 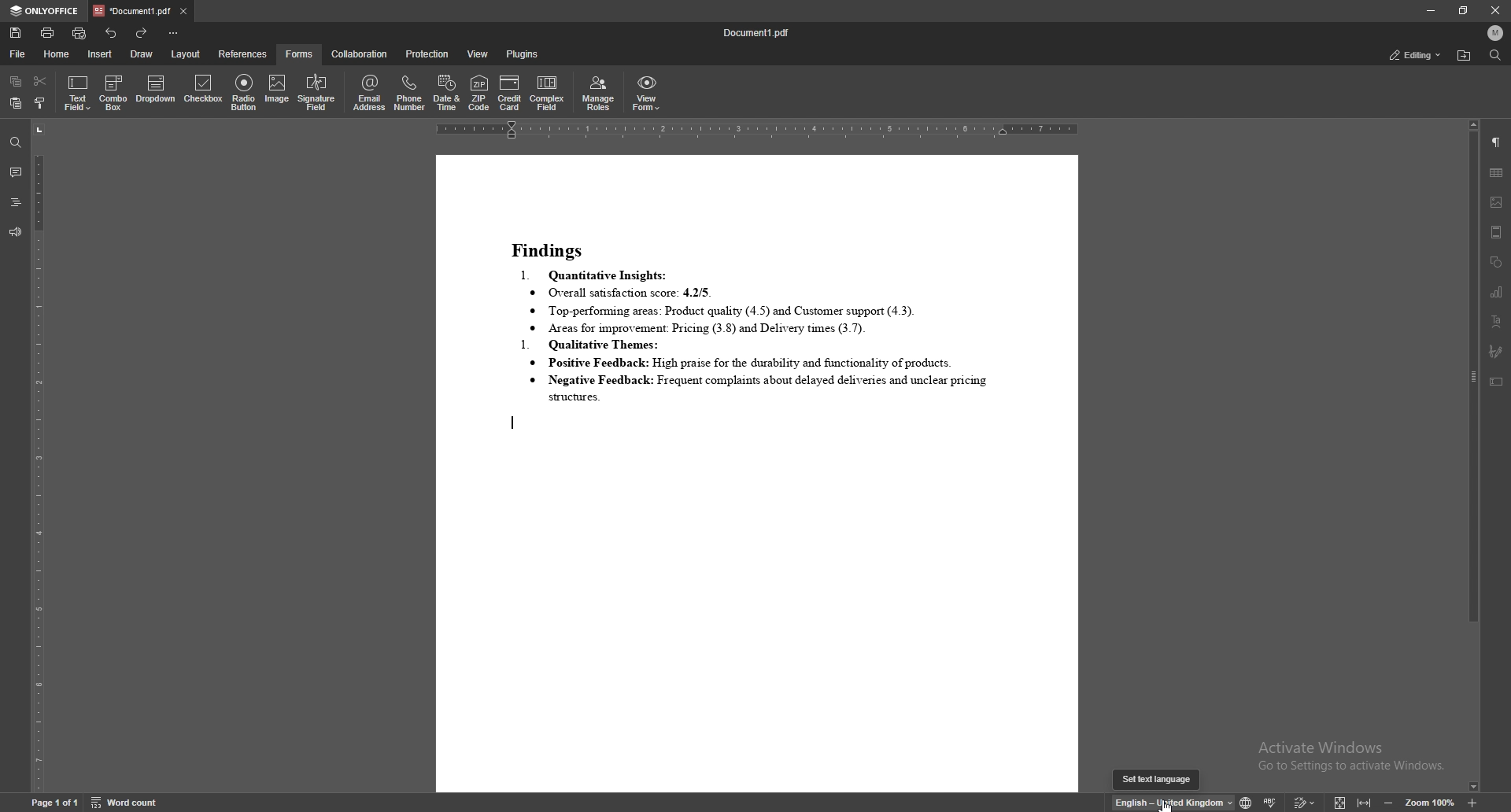 What do you see at coordinates (647, 94) in the screenshot?
I see `view form` at bounding box center [647, 94].